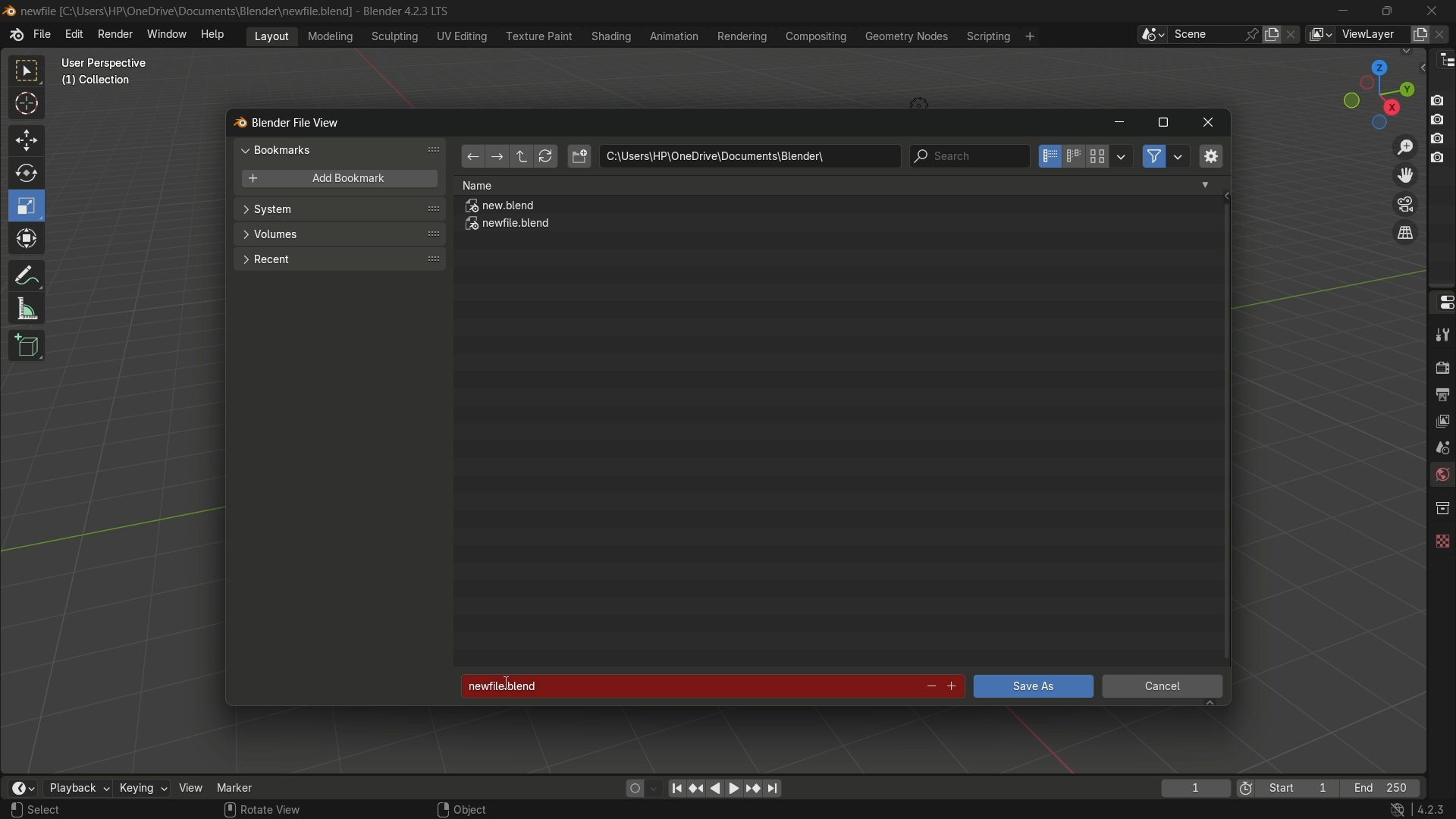 The width and height of the screenshot is (1456, 819). Describe the element at coordinates (246, 786) in the screenshot. I see `marker` at that location.